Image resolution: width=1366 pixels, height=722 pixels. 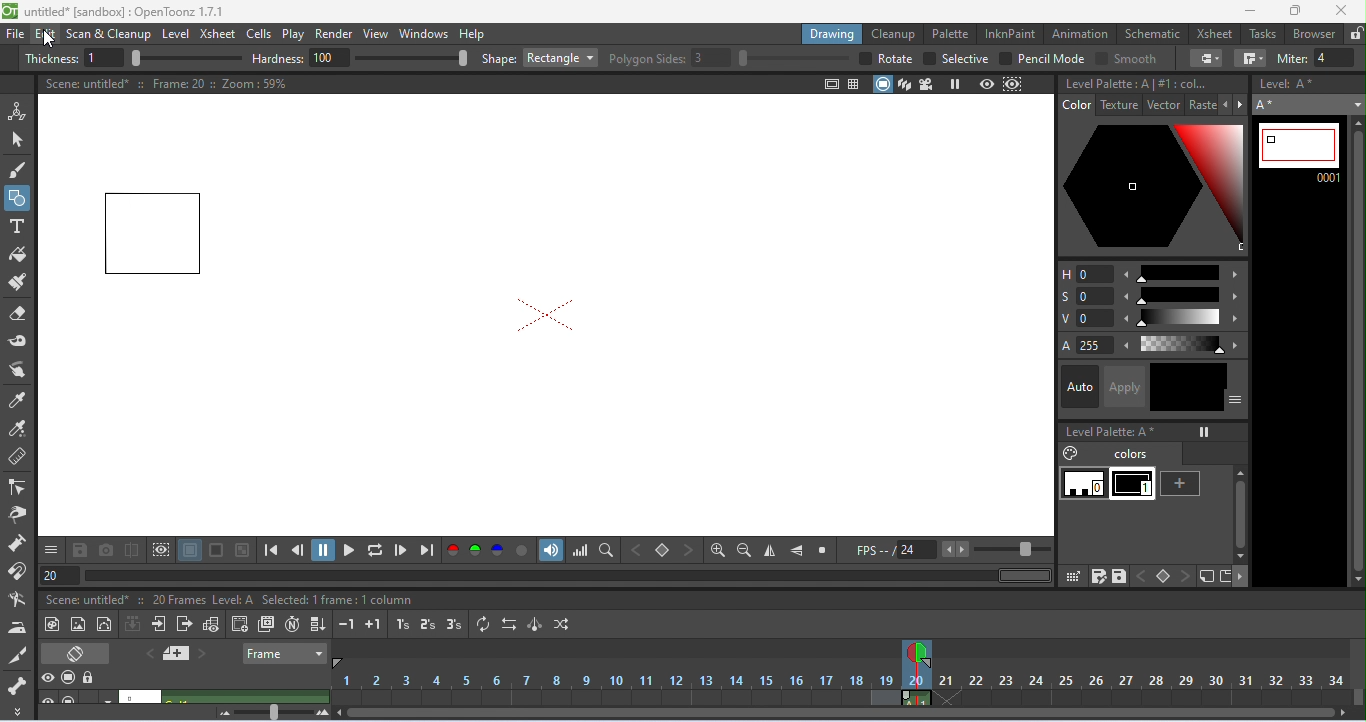 I want to click on camera stand visibility, so click(x=69, y=677).